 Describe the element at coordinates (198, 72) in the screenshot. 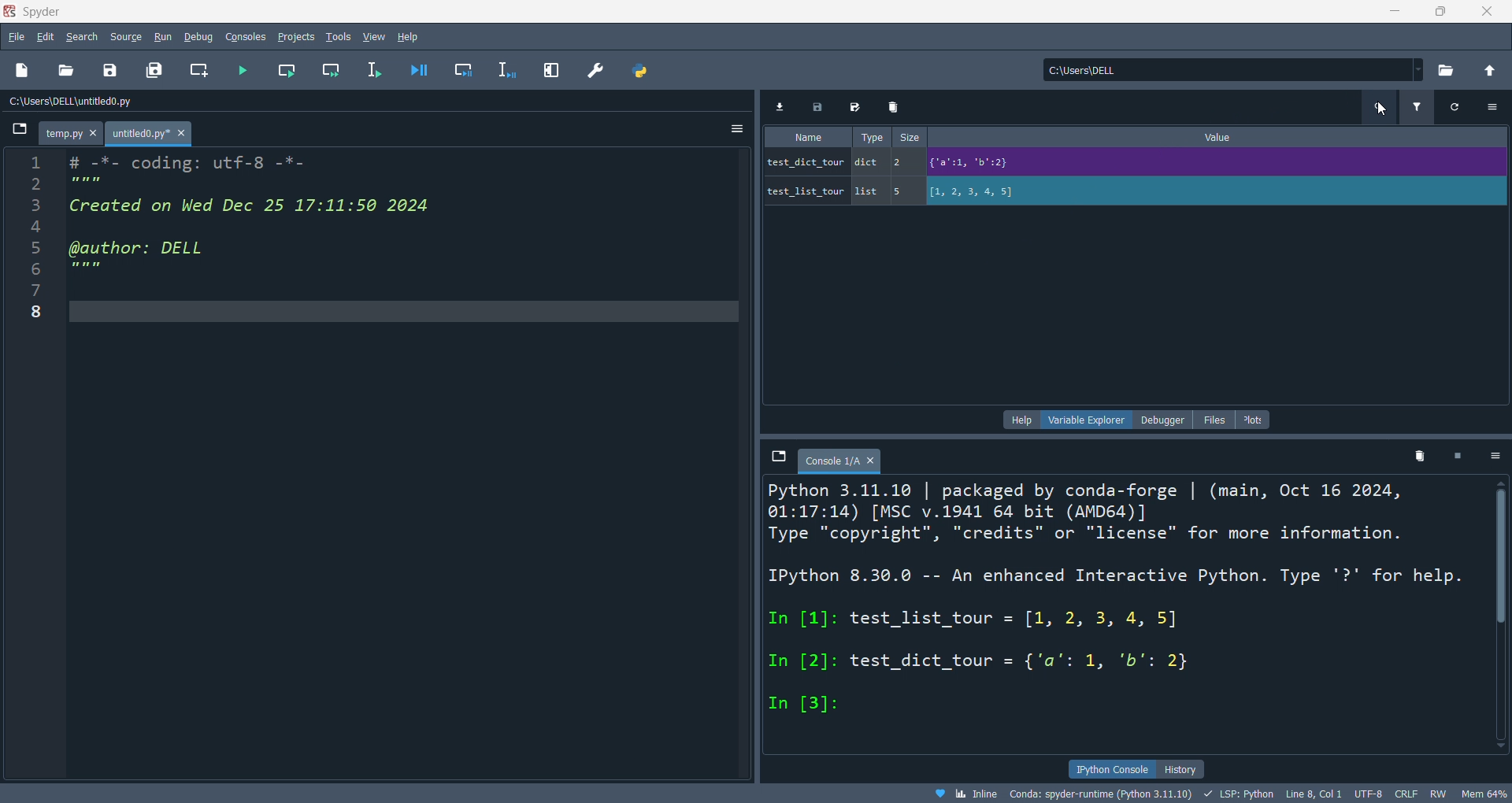

I see `create cell` at that location.